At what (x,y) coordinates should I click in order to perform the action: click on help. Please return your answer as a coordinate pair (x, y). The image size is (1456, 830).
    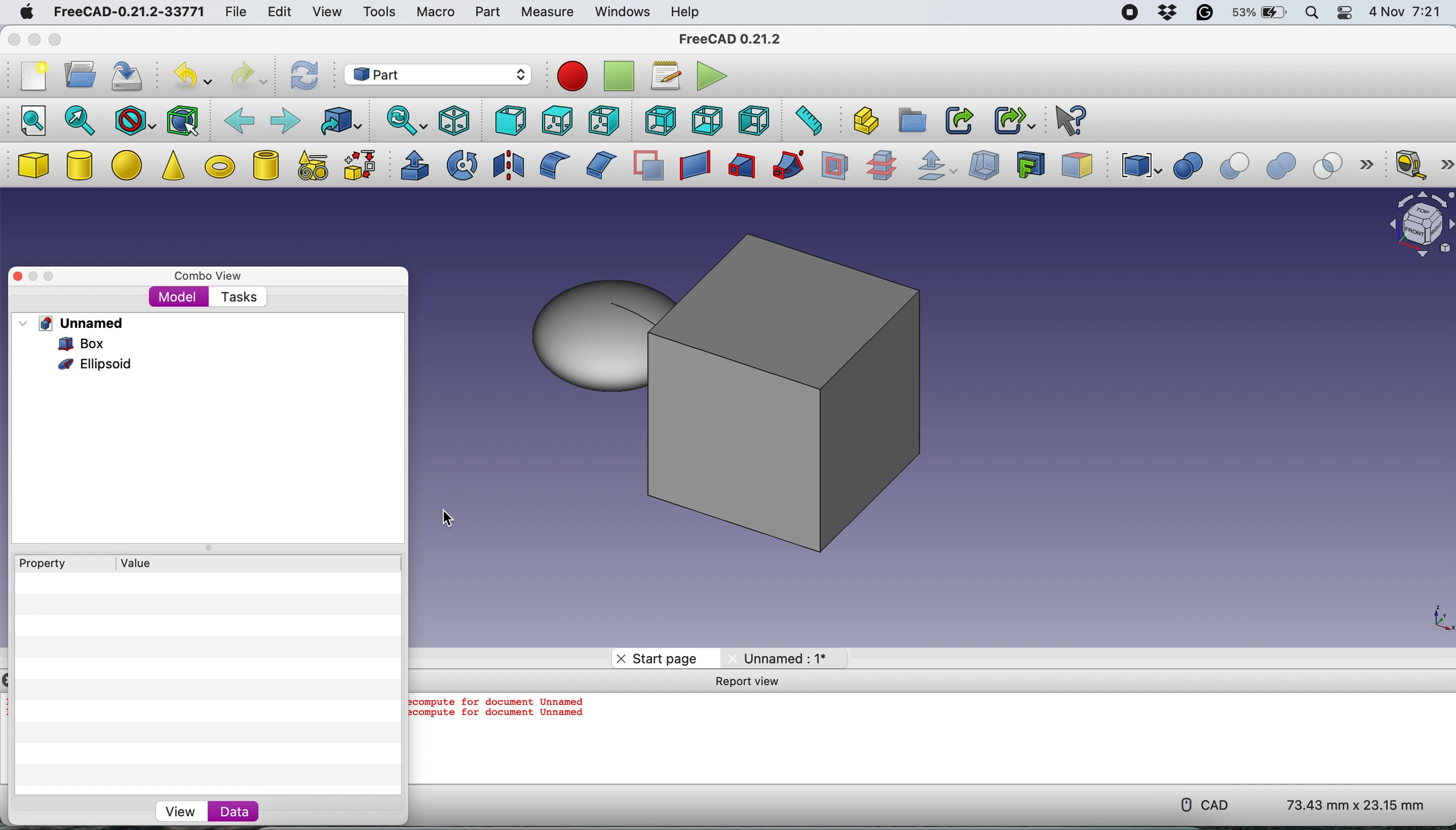
    Looking at the image, I should click on (683, 11).